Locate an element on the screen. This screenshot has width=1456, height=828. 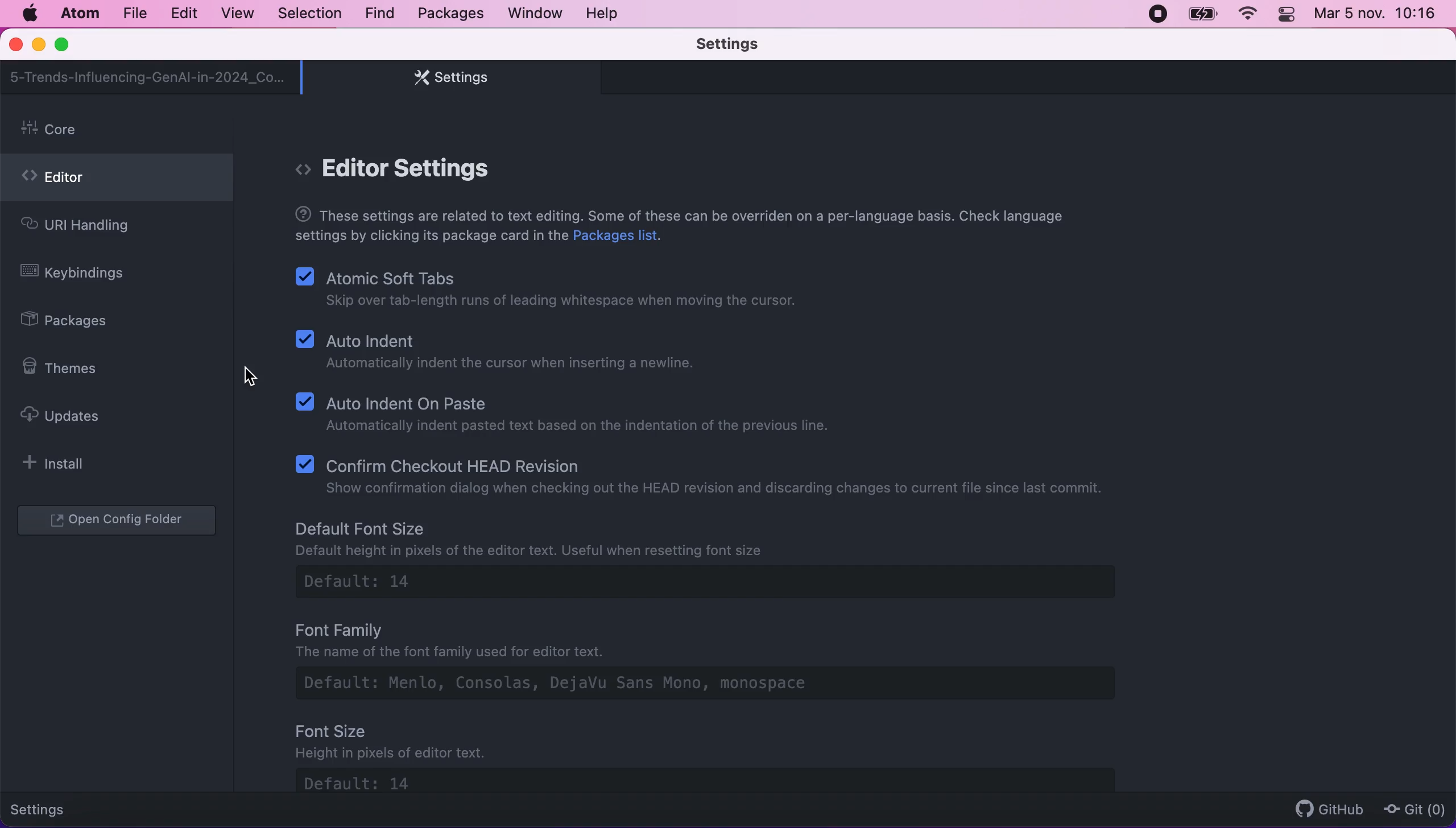
Git (0) is located at coordinates (1411, 809).